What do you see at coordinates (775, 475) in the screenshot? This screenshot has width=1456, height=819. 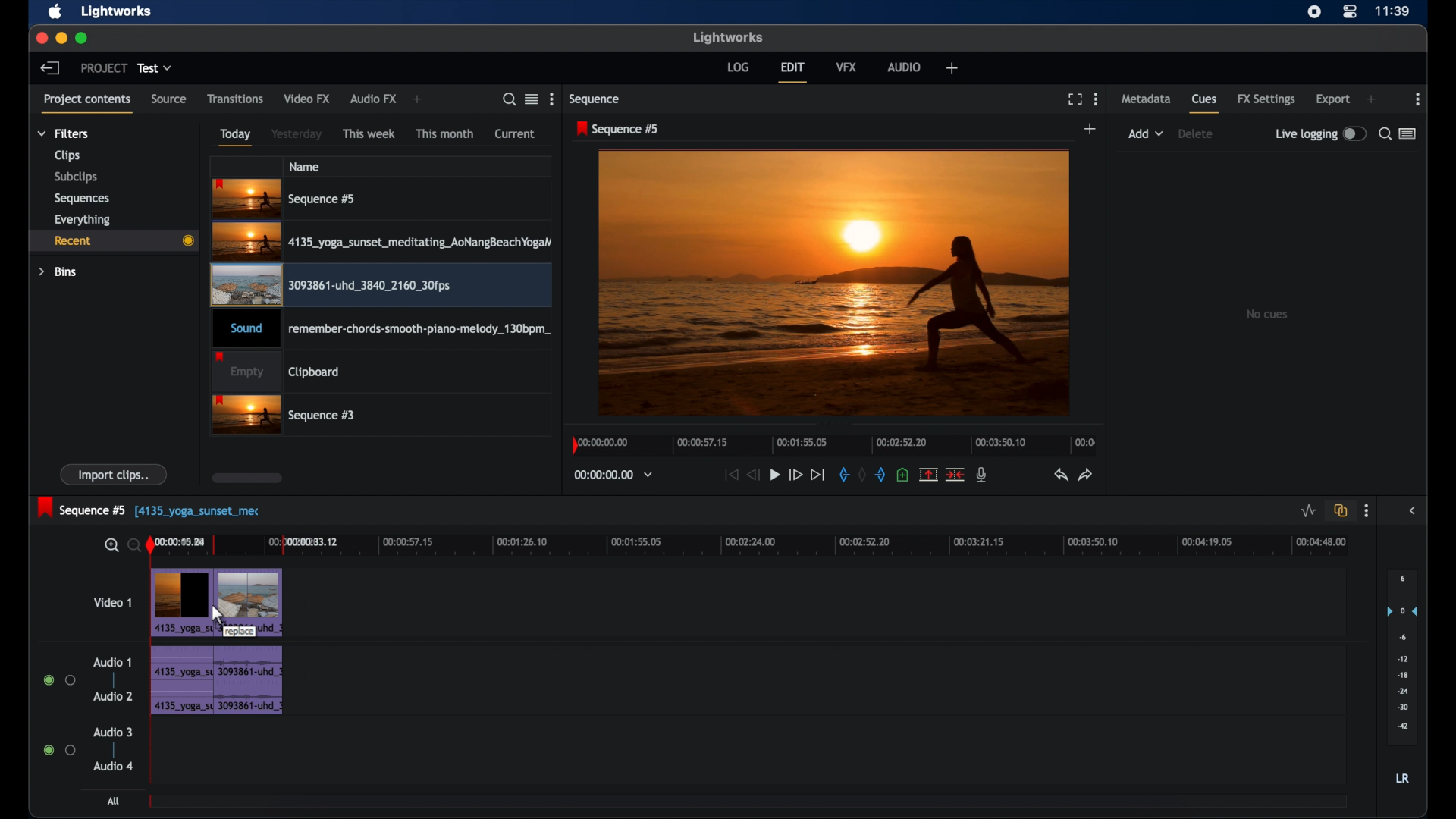 I see `play` at bounding box center [775, 475].